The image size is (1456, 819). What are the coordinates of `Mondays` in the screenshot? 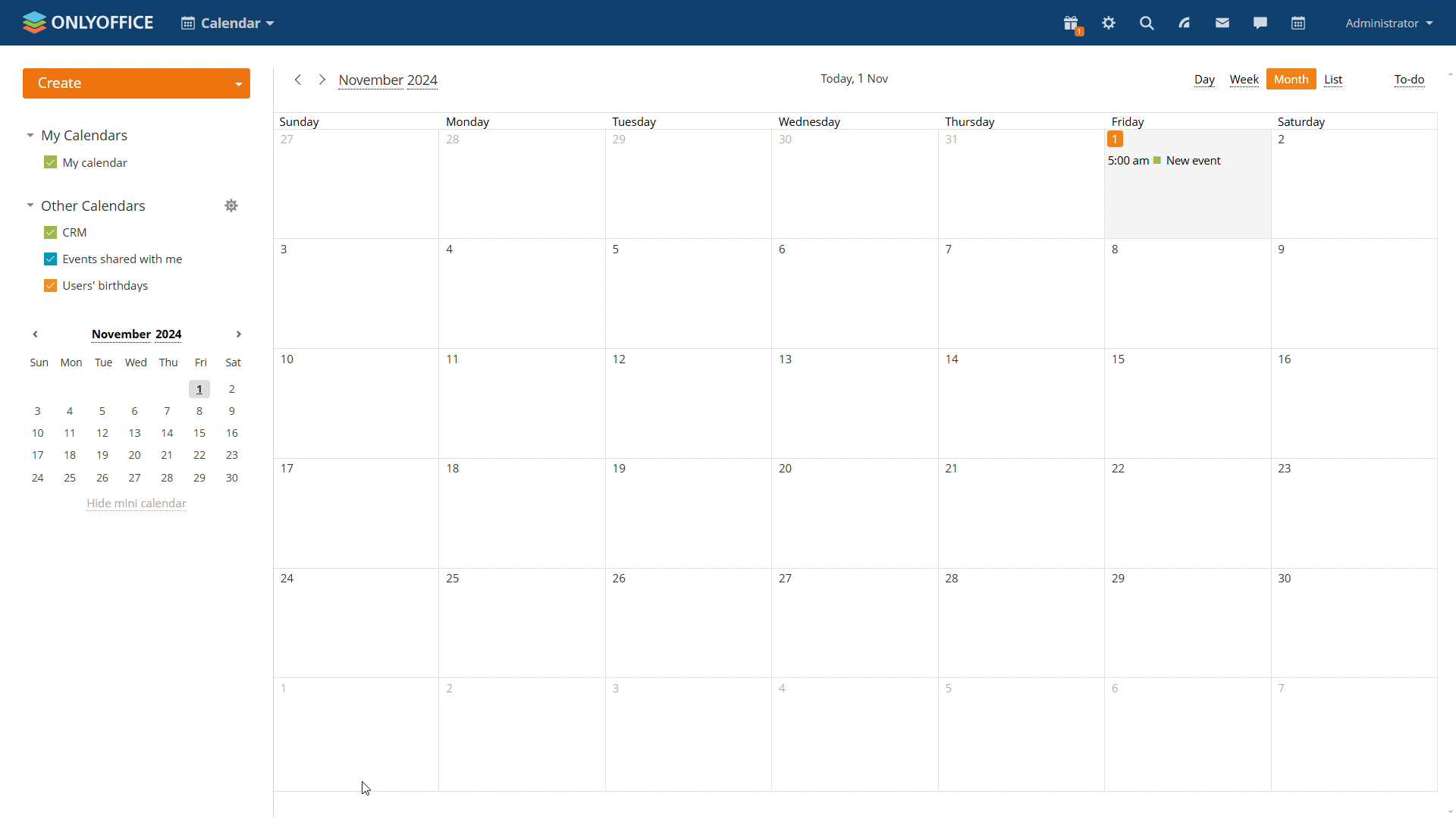 It's located at (522, 453).